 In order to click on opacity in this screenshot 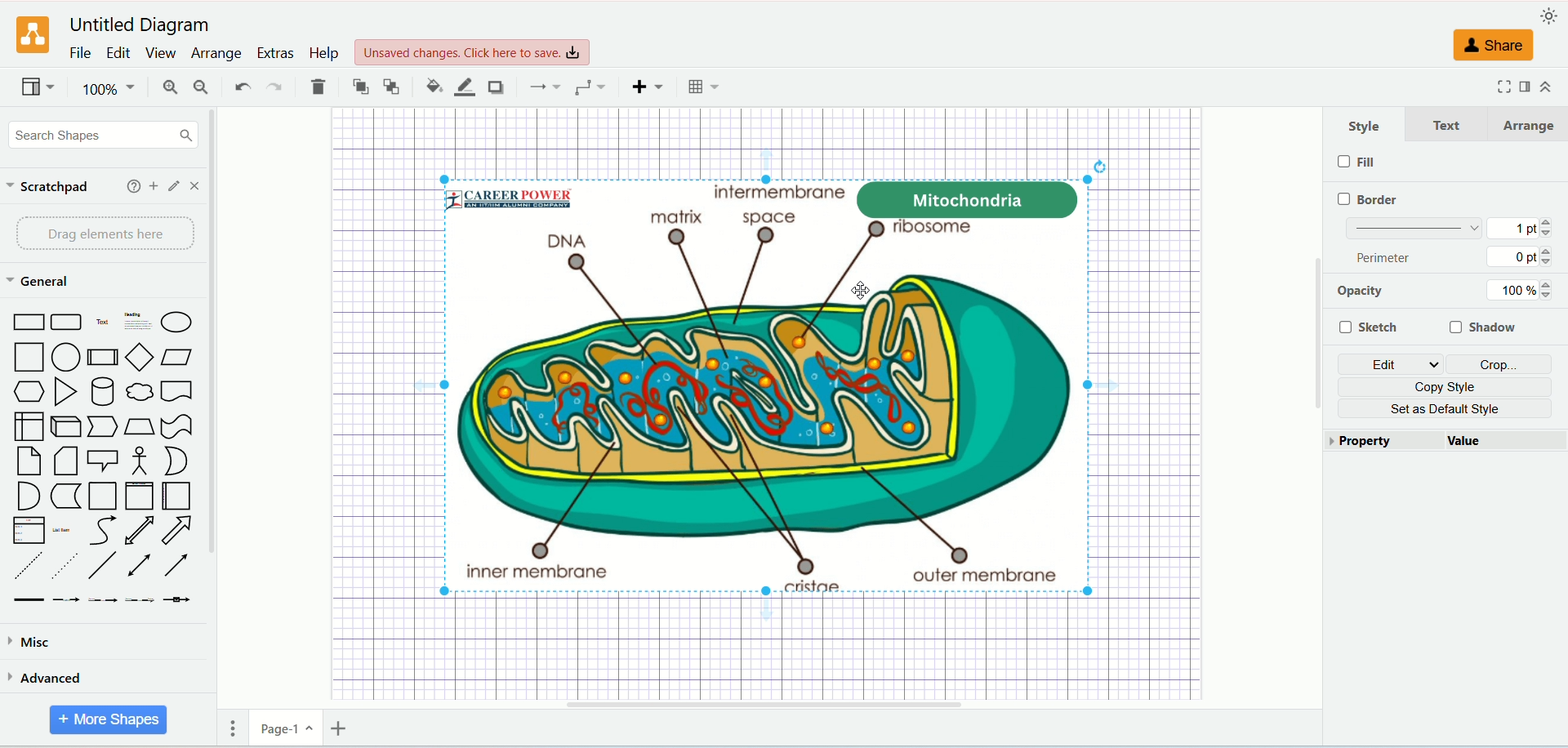, I will do `click(1361, 292)`.